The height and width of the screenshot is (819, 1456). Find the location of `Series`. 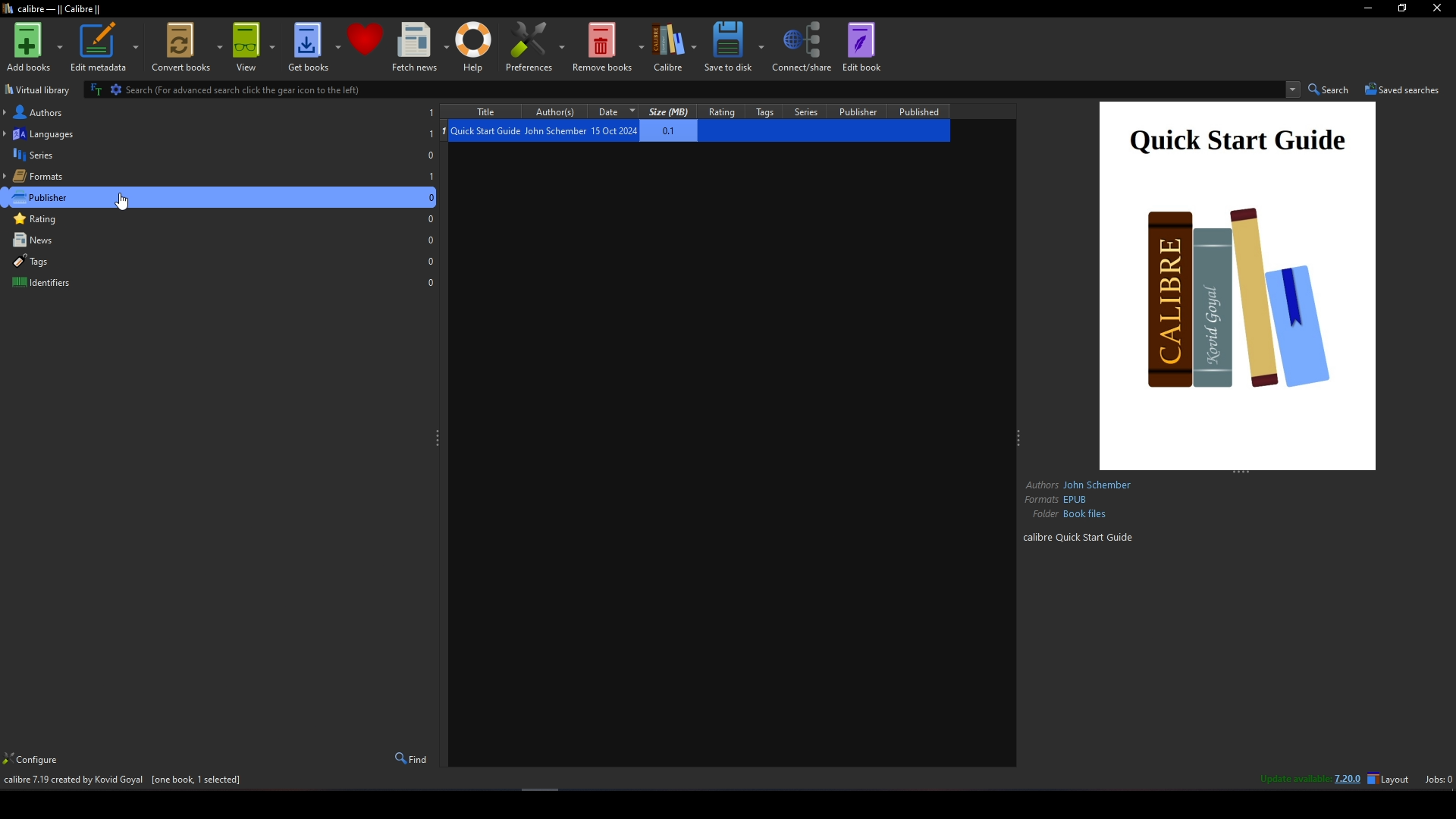

Series is located at coordinates (808, 111).